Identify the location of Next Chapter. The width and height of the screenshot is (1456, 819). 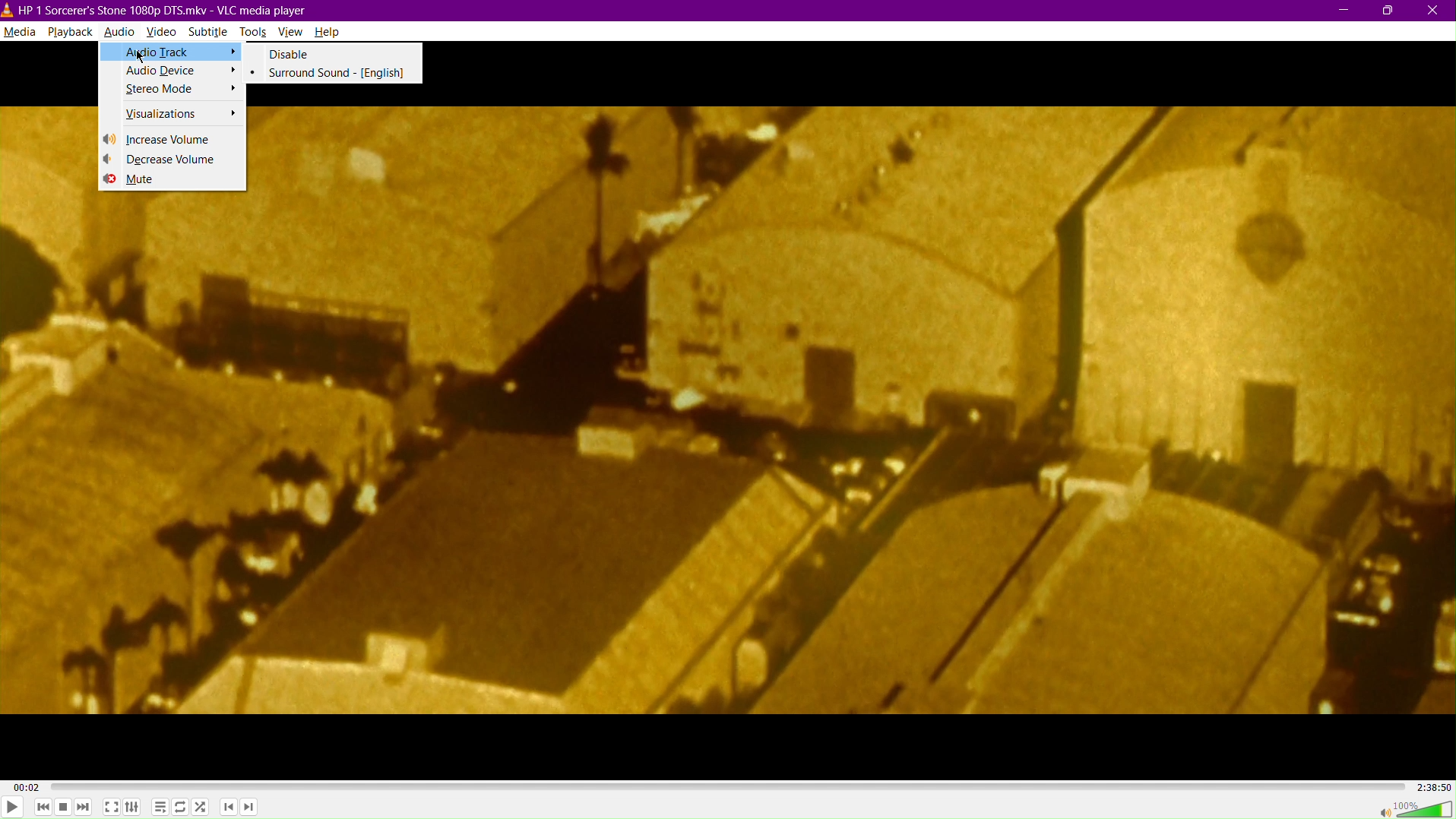
(248, 809).